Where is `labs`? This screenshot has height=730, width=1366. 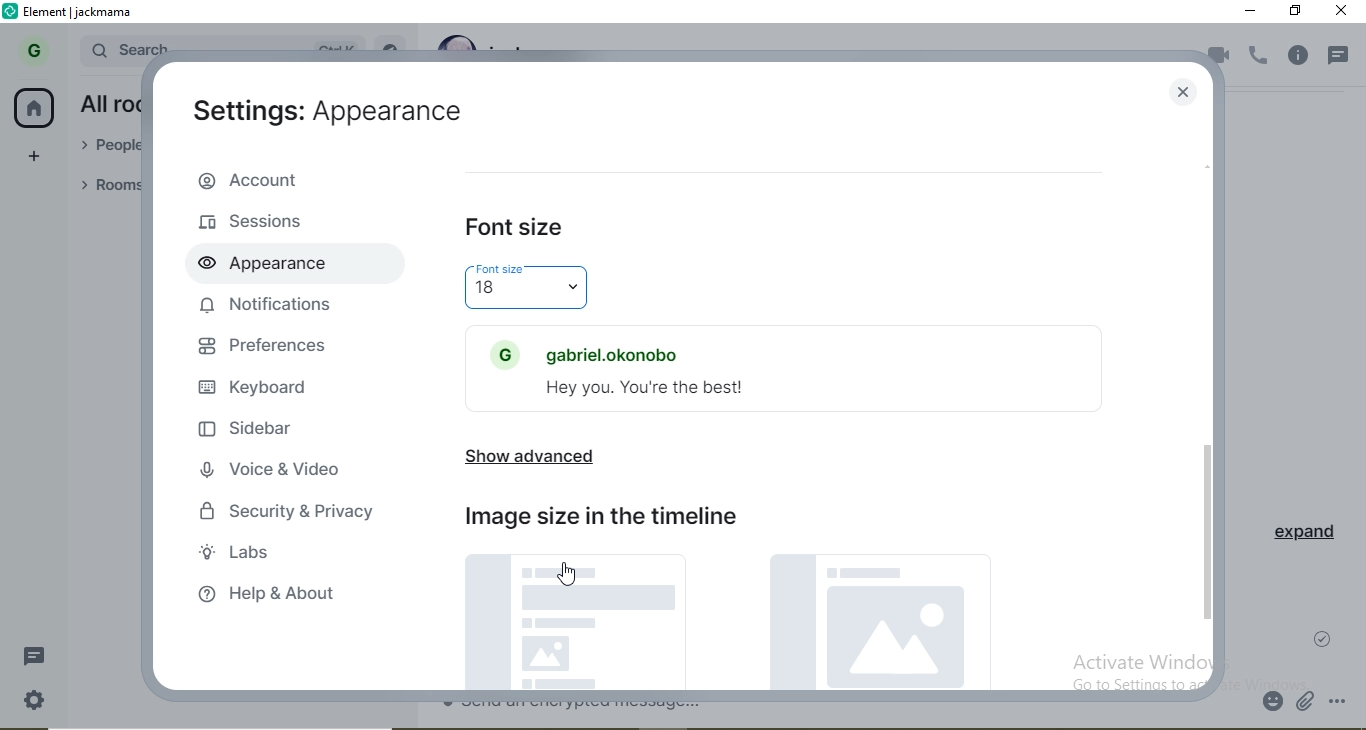 labs is located at coordinates (238, 543).